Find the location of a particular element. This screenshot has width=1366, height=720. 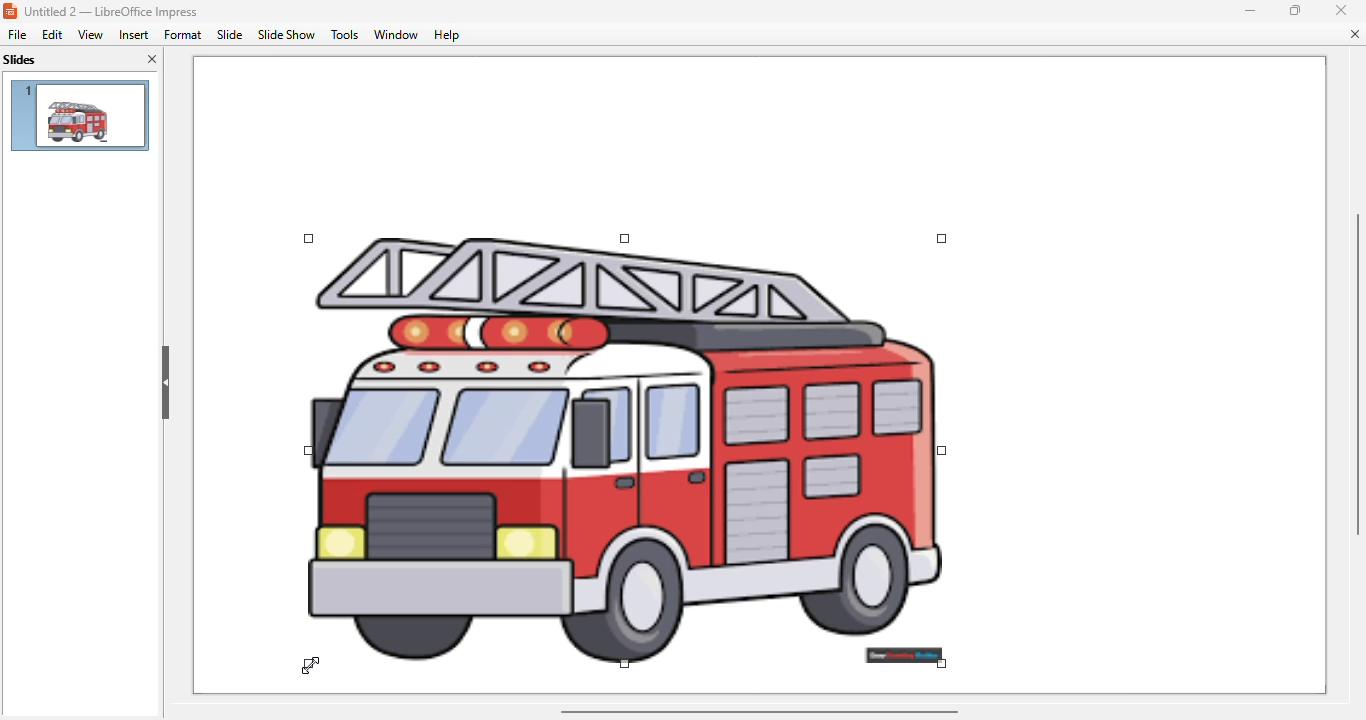

title is located at coordinates (111, 11).